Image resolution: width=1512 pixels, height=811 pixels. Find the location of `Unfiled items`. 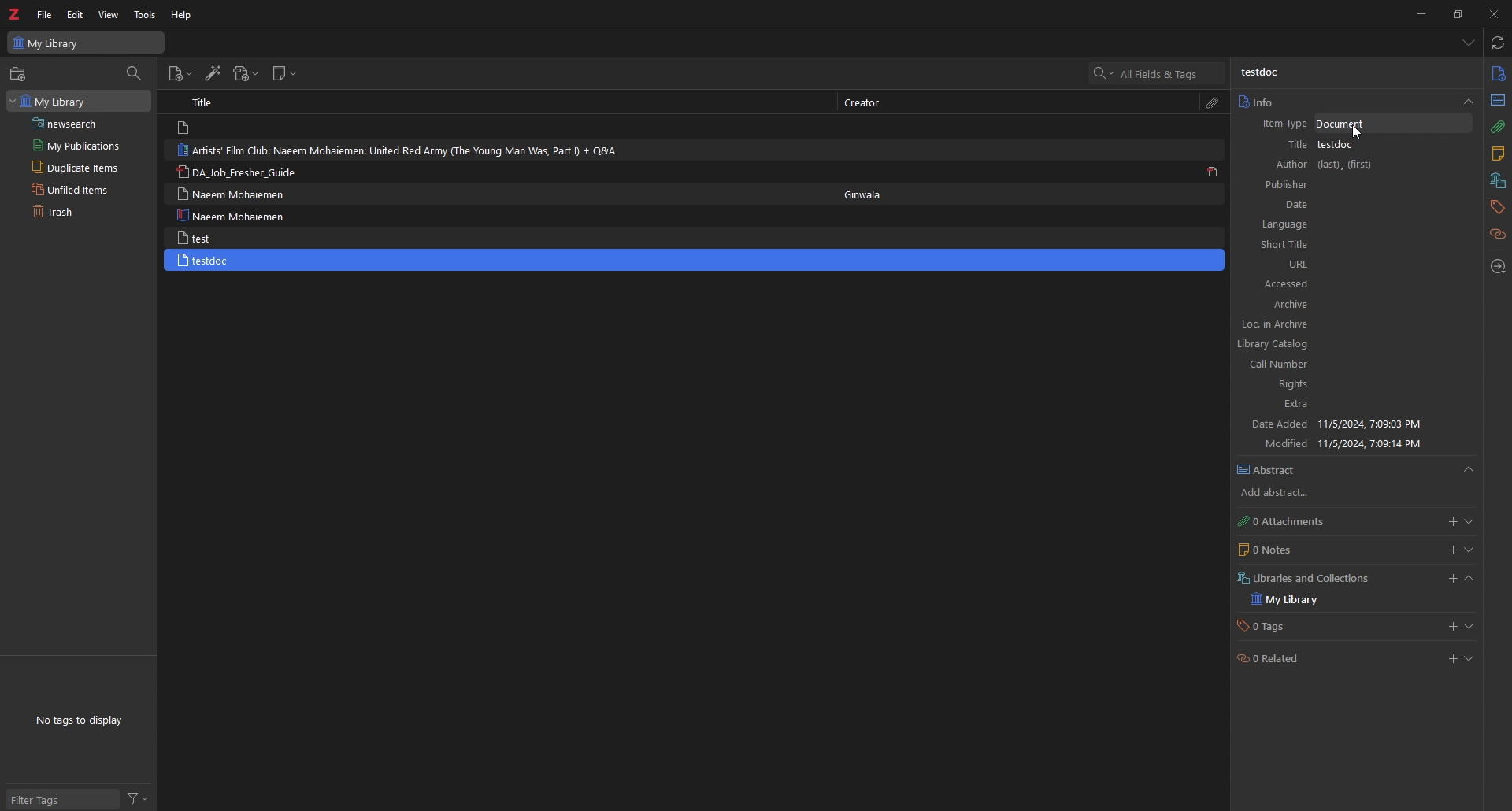

Unfiled items is located at coordinates (80, 189).